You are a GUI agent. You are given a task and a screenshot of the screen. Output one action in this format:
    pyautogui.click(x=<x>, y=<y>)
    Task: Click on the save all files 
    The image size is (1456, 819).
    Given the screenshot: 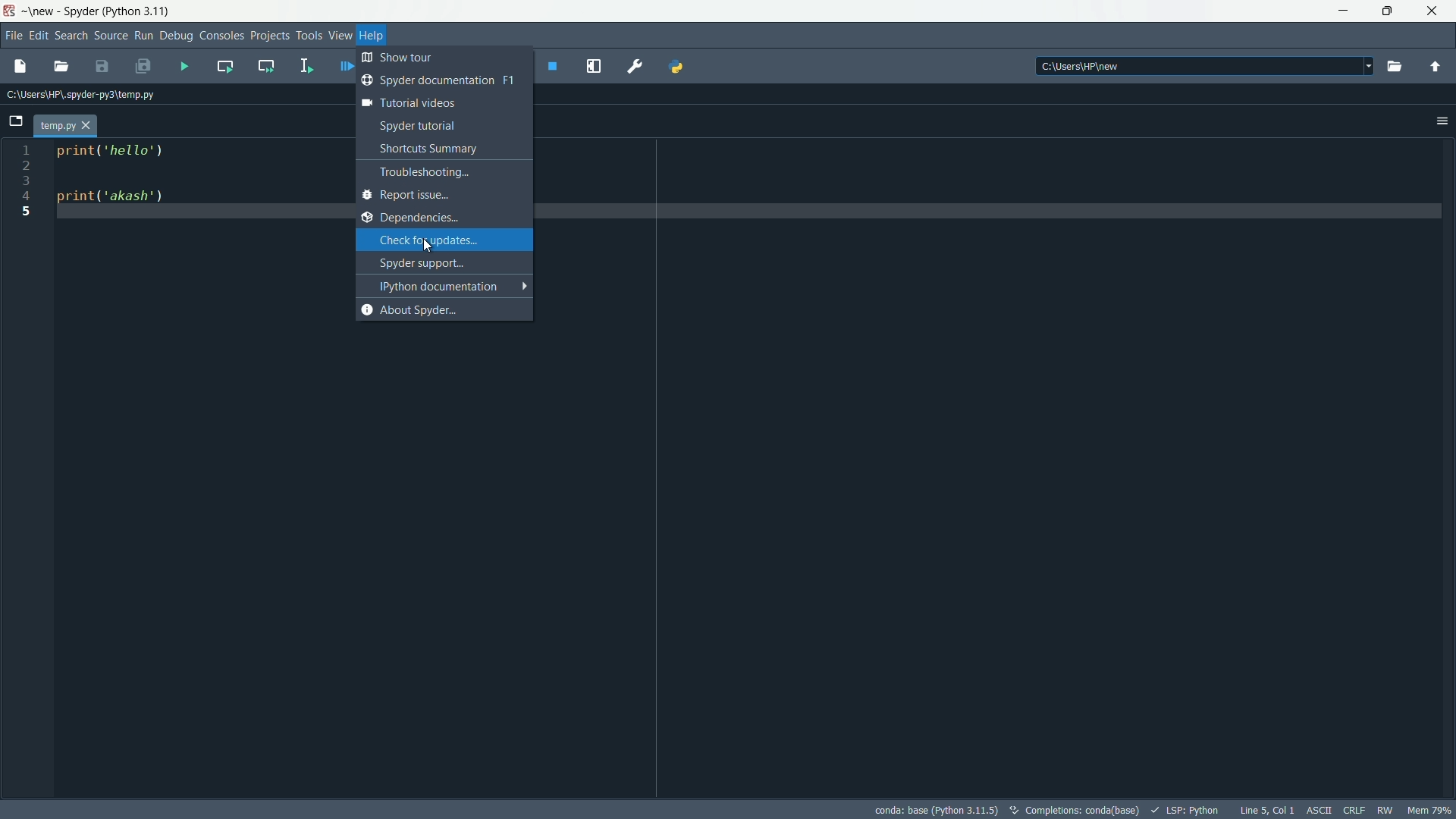 What is the action you would take?
    pyautogui.click(x=143, y=64)
    